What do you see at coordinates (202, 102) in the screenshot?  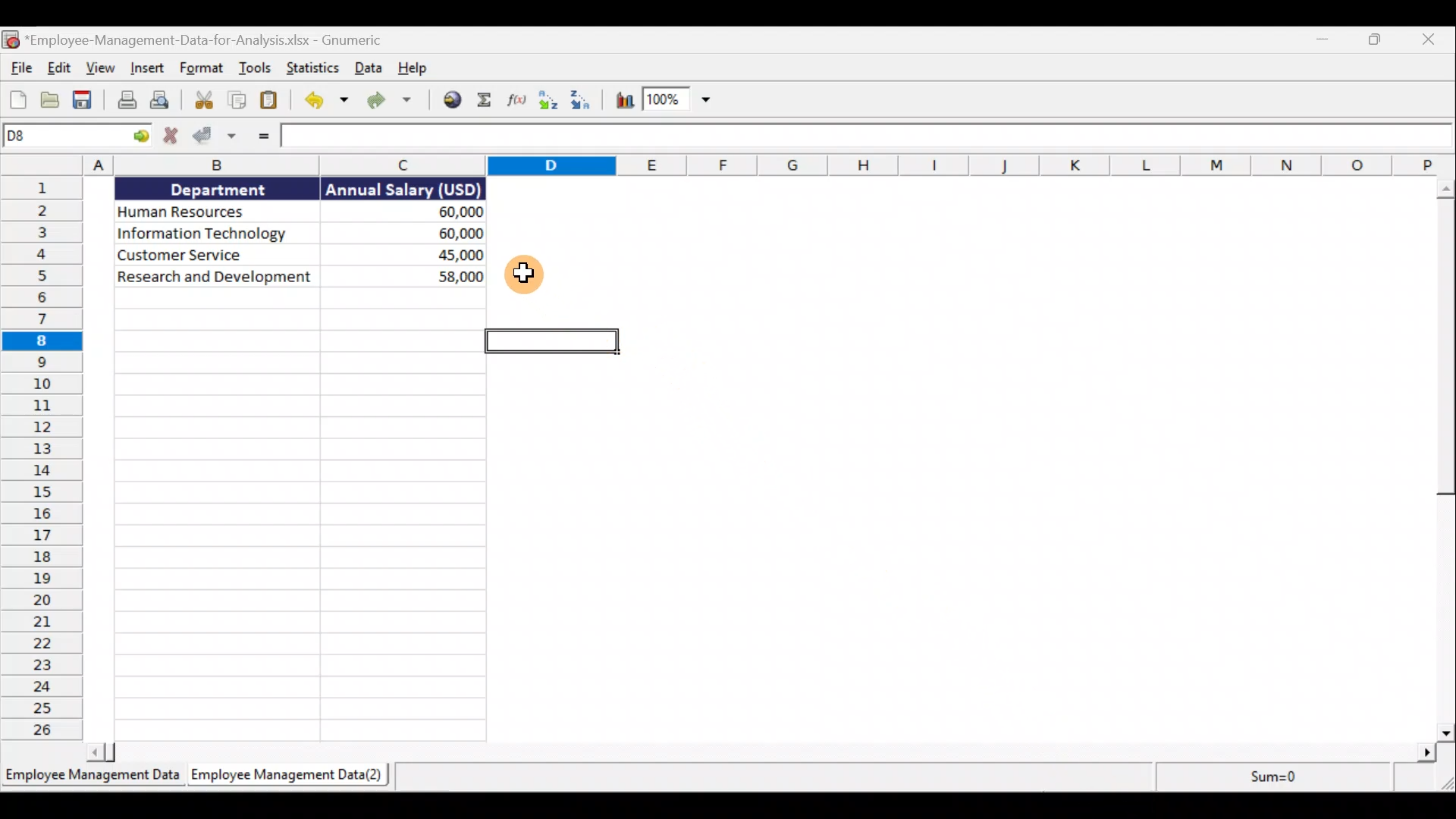 I see `Cut selection` at bounding box center [202, 102].